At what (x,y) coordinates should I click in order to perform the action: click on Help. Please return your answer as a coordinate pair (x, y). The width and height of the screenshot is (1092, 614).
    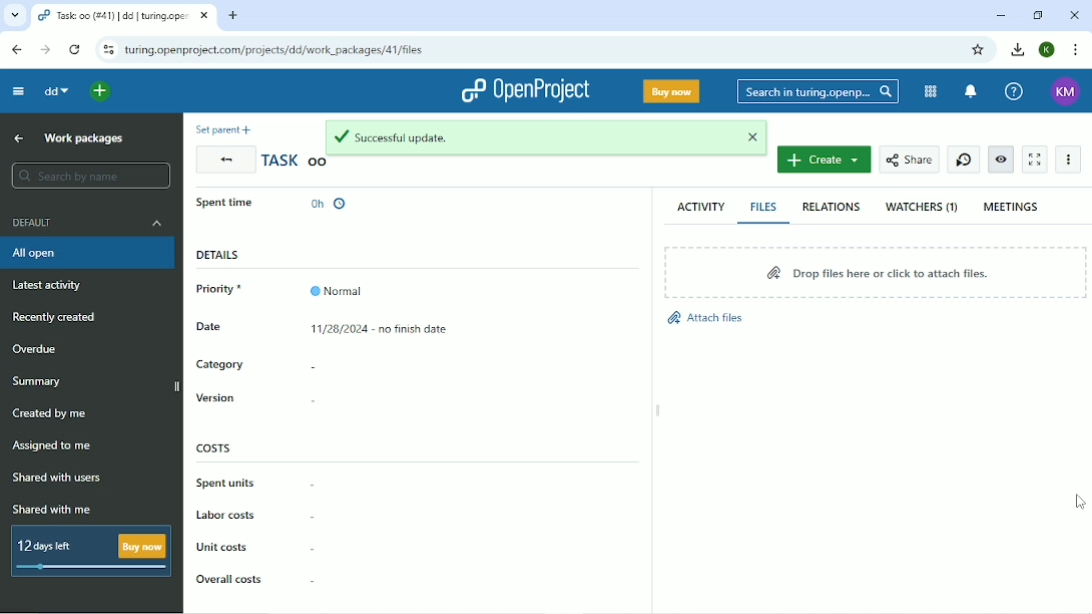
    Looking at the image, I should click on (1014, 90).